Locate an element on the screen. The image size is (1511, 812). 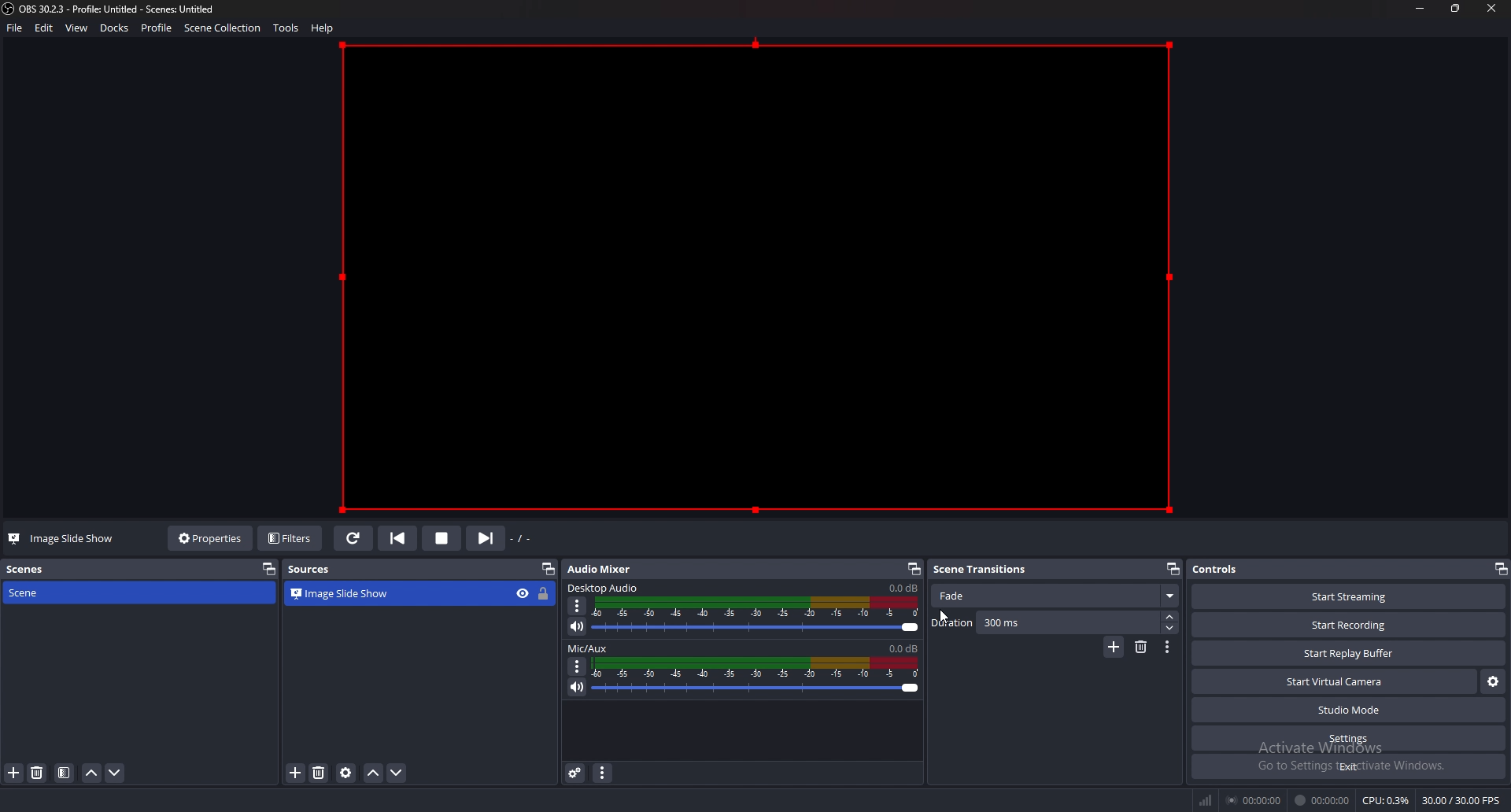
view is located at coordinates (77, 28).